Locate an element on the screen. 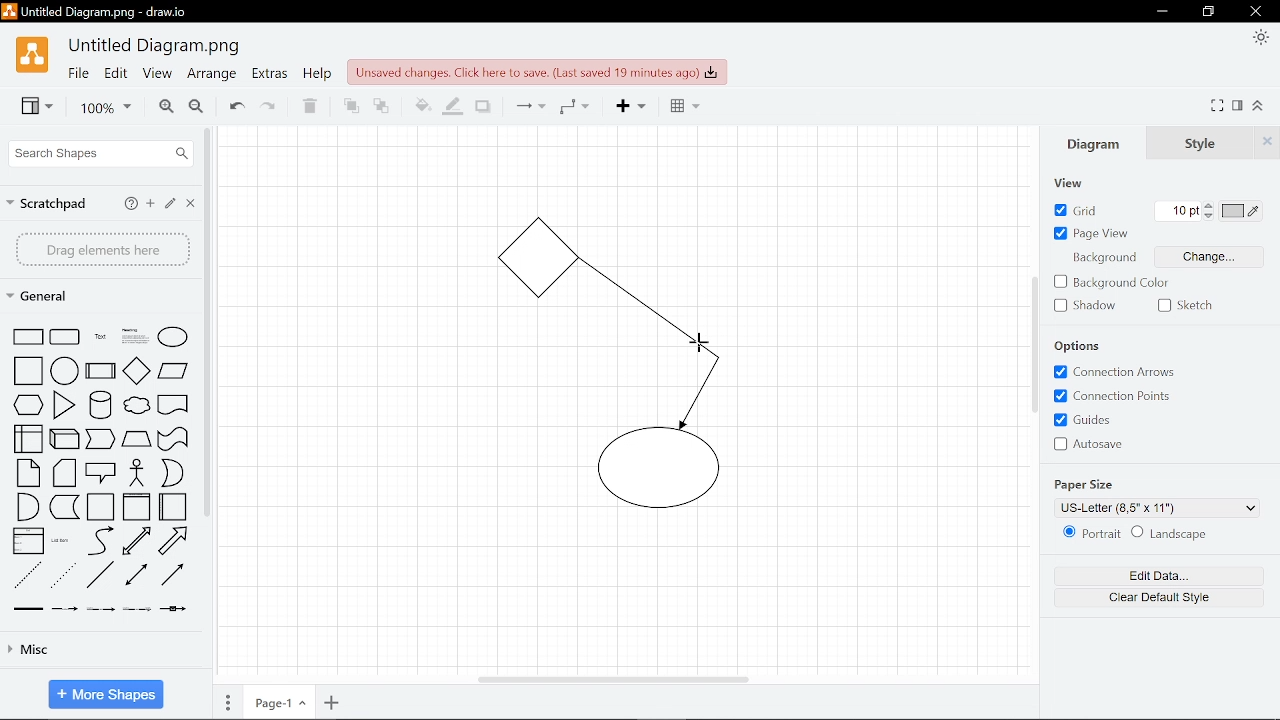  Page-1  is located at coordinates (277, 704).